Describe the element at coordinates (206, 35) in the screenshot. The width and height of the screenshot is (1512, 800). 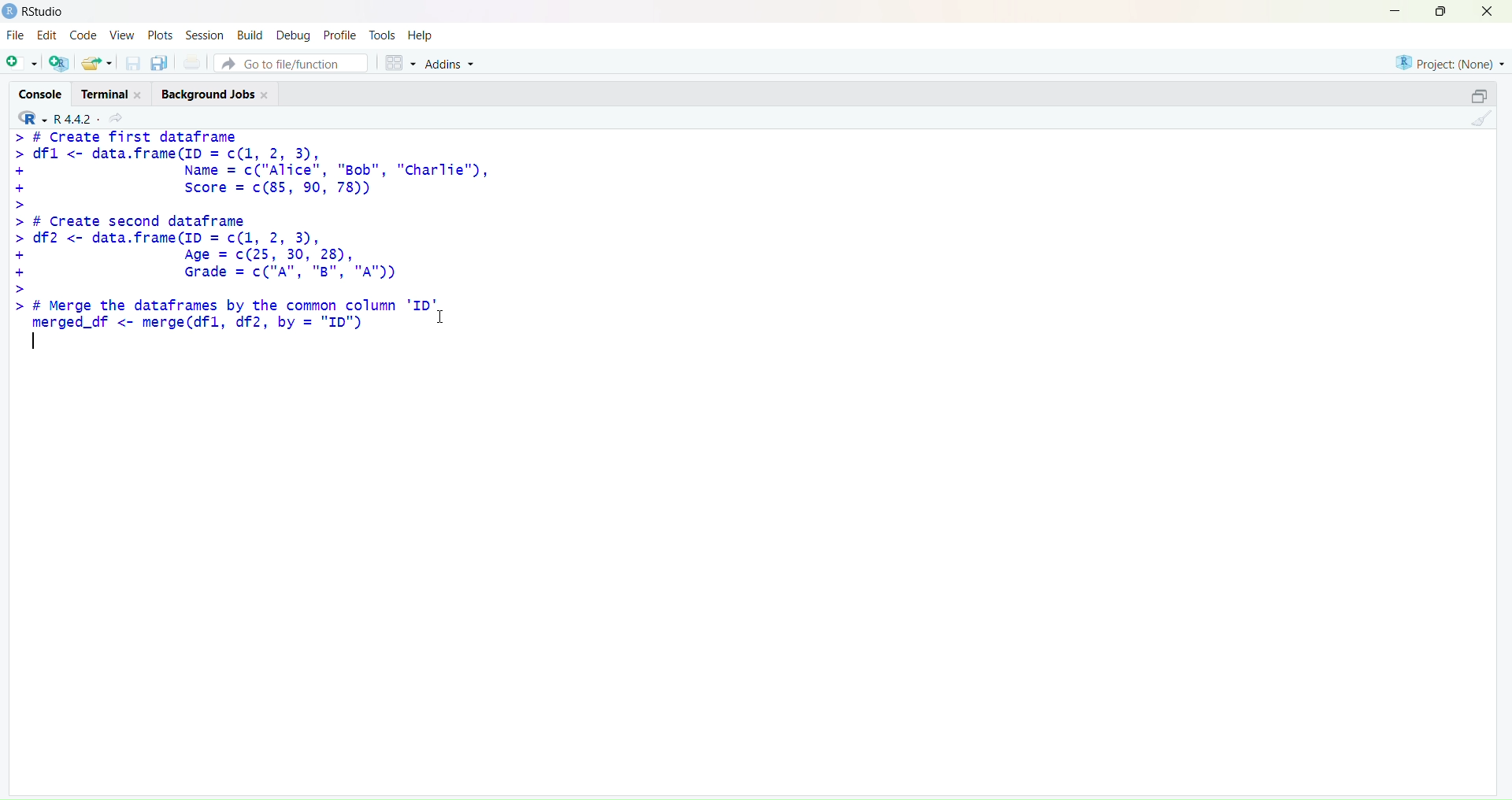
I see `Session` at that location.